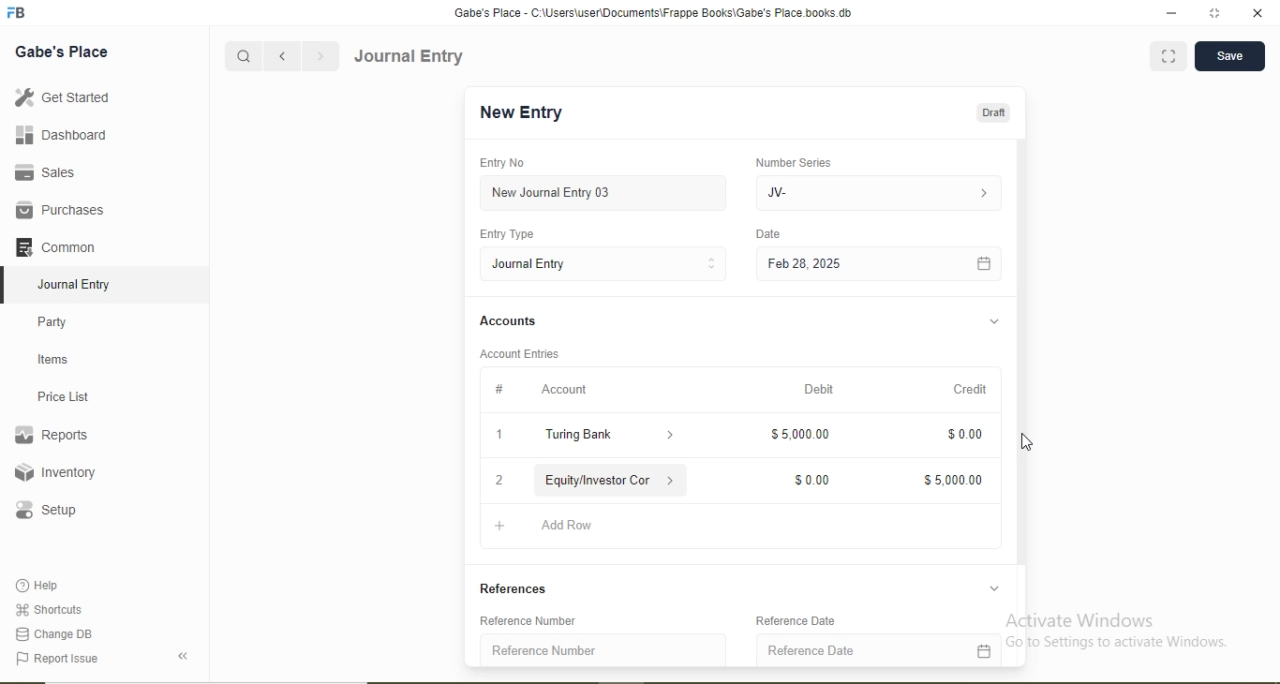  What do you see at coordinates (62, 52) in the screenshot?
I see `Gabe's Place` at bounding box center [62, 52].